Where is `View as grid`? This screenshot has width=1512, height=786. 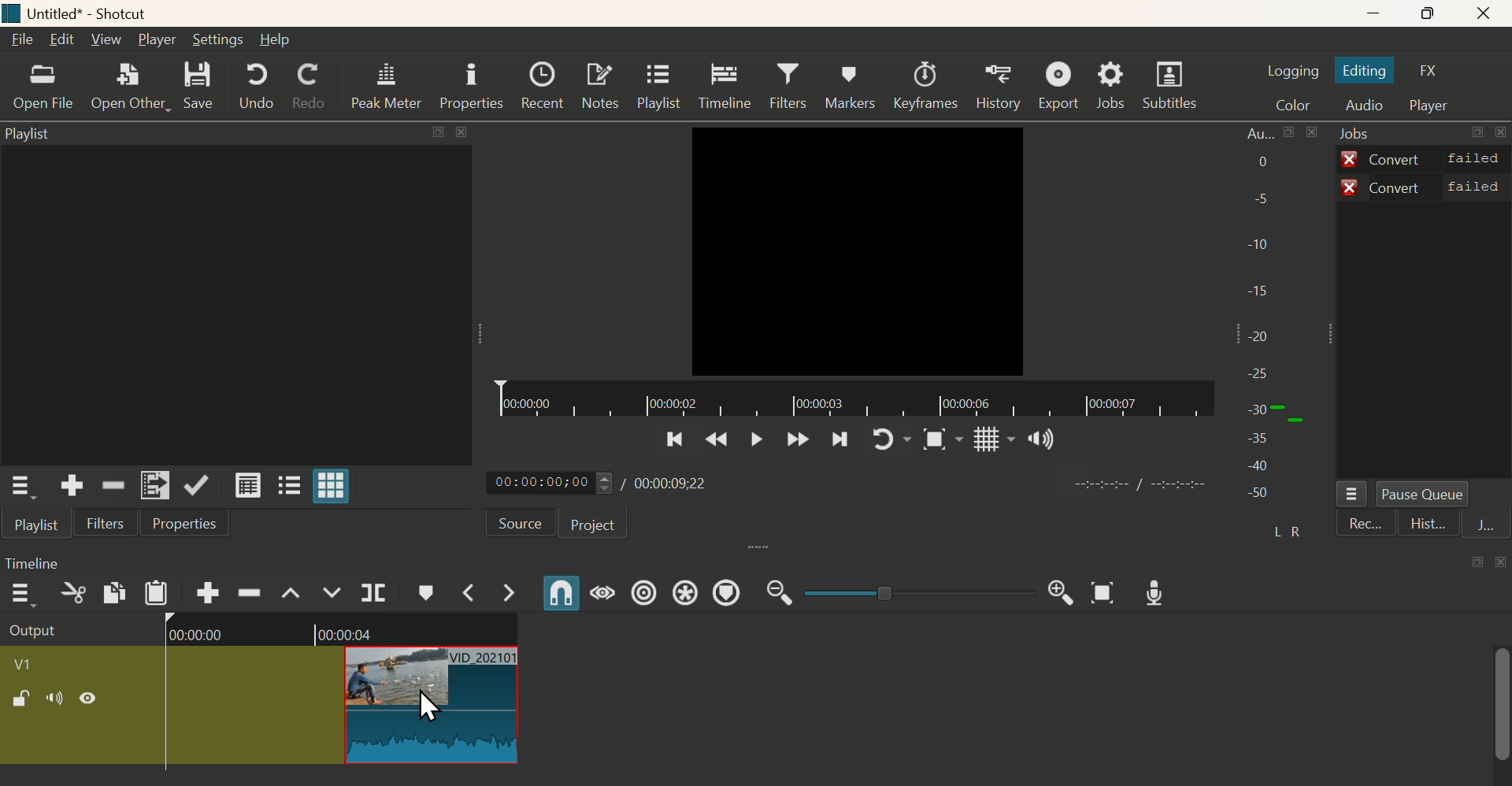
View as grid is located at coordinates (336, 485).